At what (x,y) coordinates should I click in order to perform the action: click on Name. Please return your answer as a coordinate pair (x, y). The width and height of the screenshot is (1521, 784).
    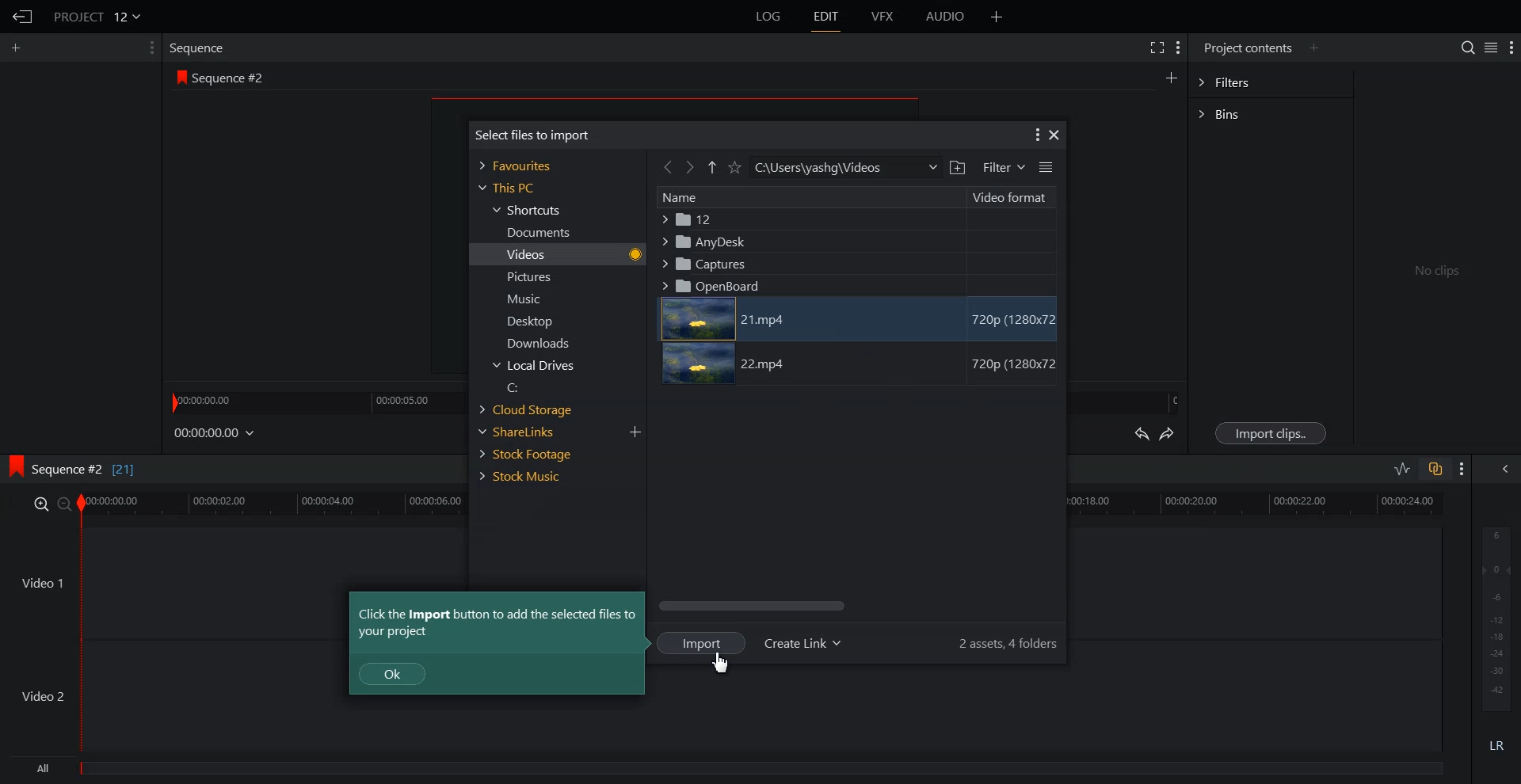
    Looking at the image, I should click on (810, 198).